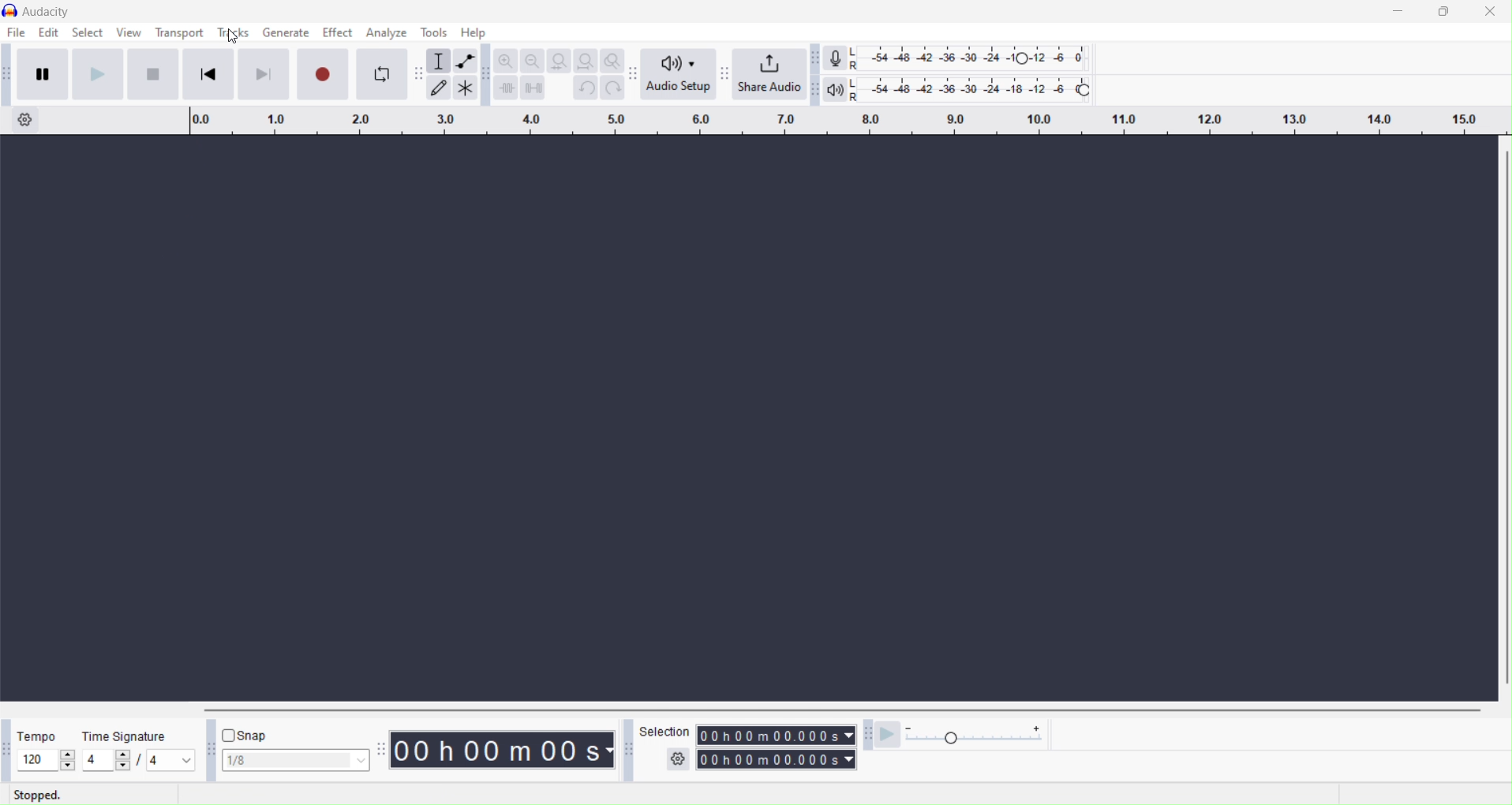 The width and height of the screenshot is (1512, 805). Describe the element at coordinates (98, 73) in the screenshot. I see `Play` at that location.